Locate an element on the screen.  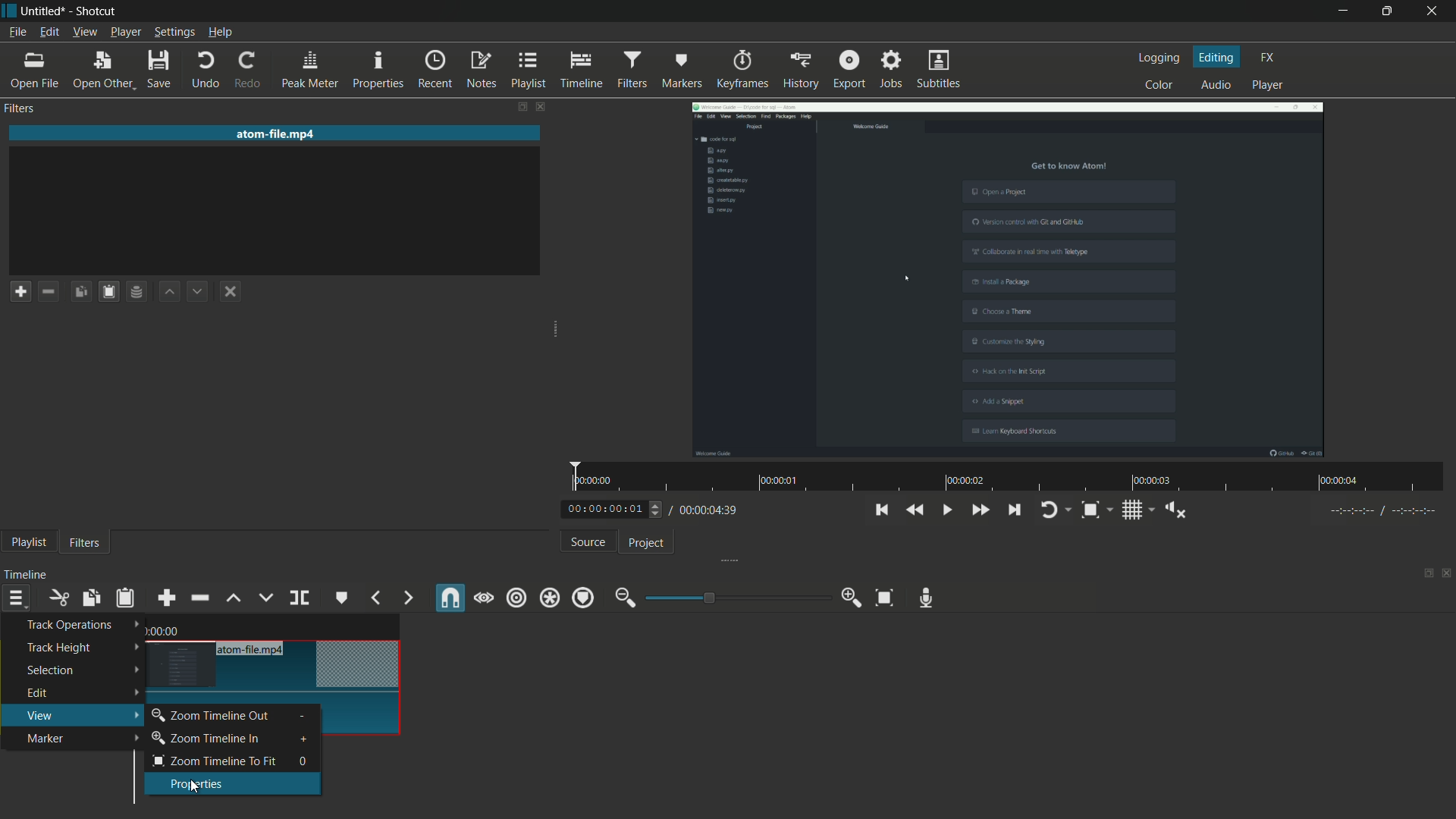
player menu is located at coordinates (126, 33).